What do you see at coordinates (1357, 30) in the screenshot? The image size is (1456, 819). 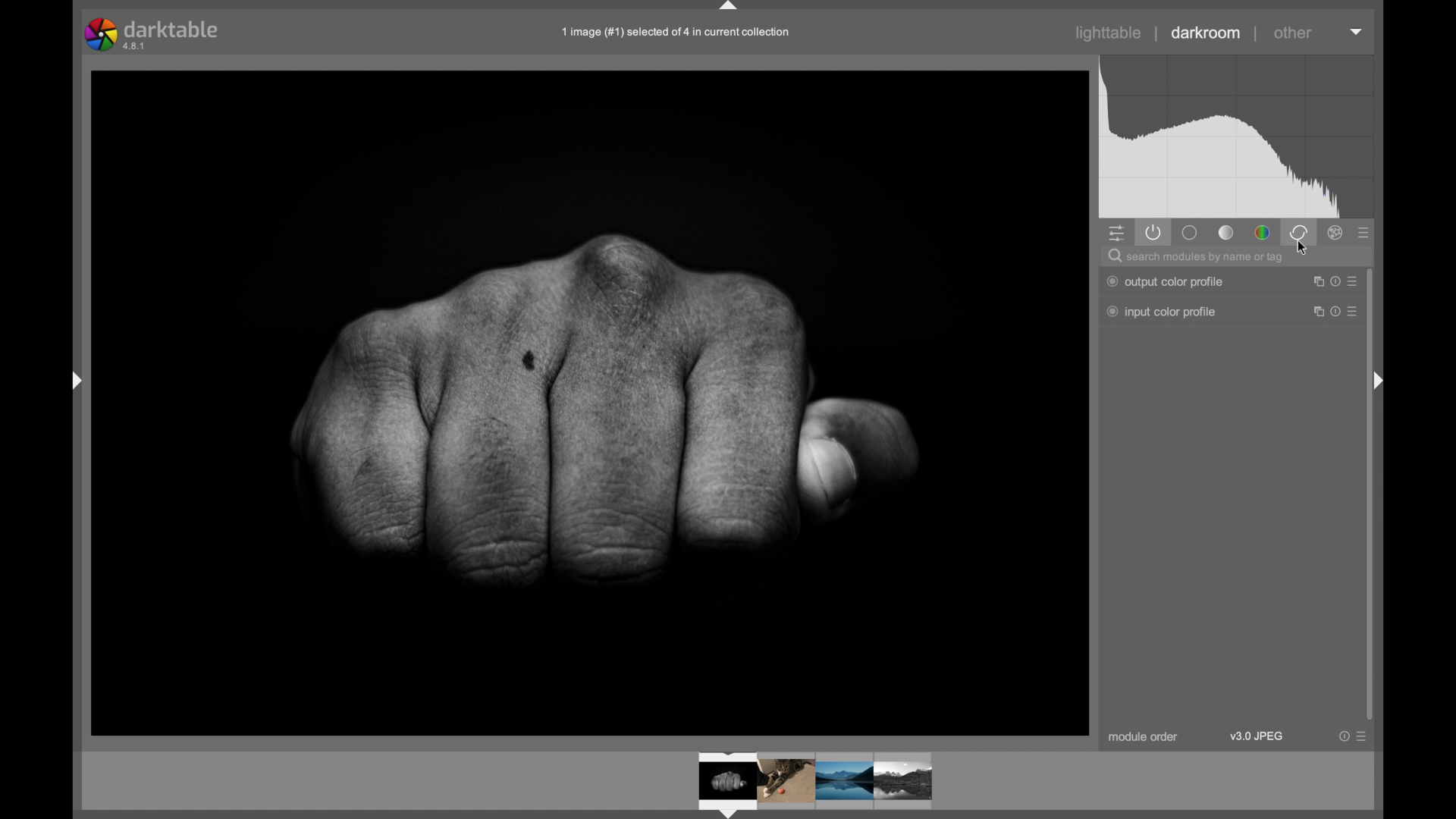 I see `dropdown menu` at bounding box center [1357, 30].